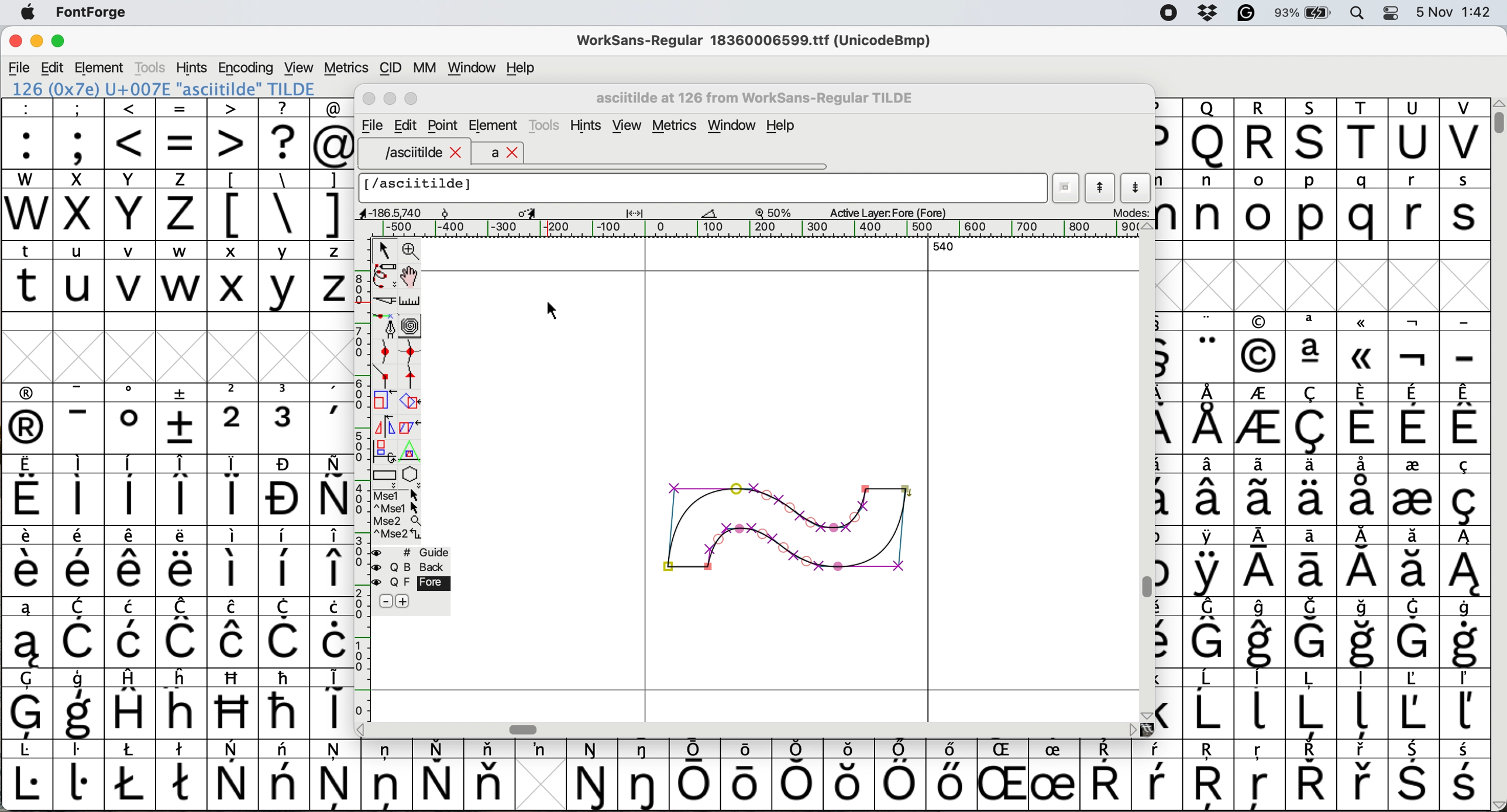 This screenshot has height=812, width=1507. Describe the element at coordinates (438, 775) in the screenshot. I see `symbol` at that location.